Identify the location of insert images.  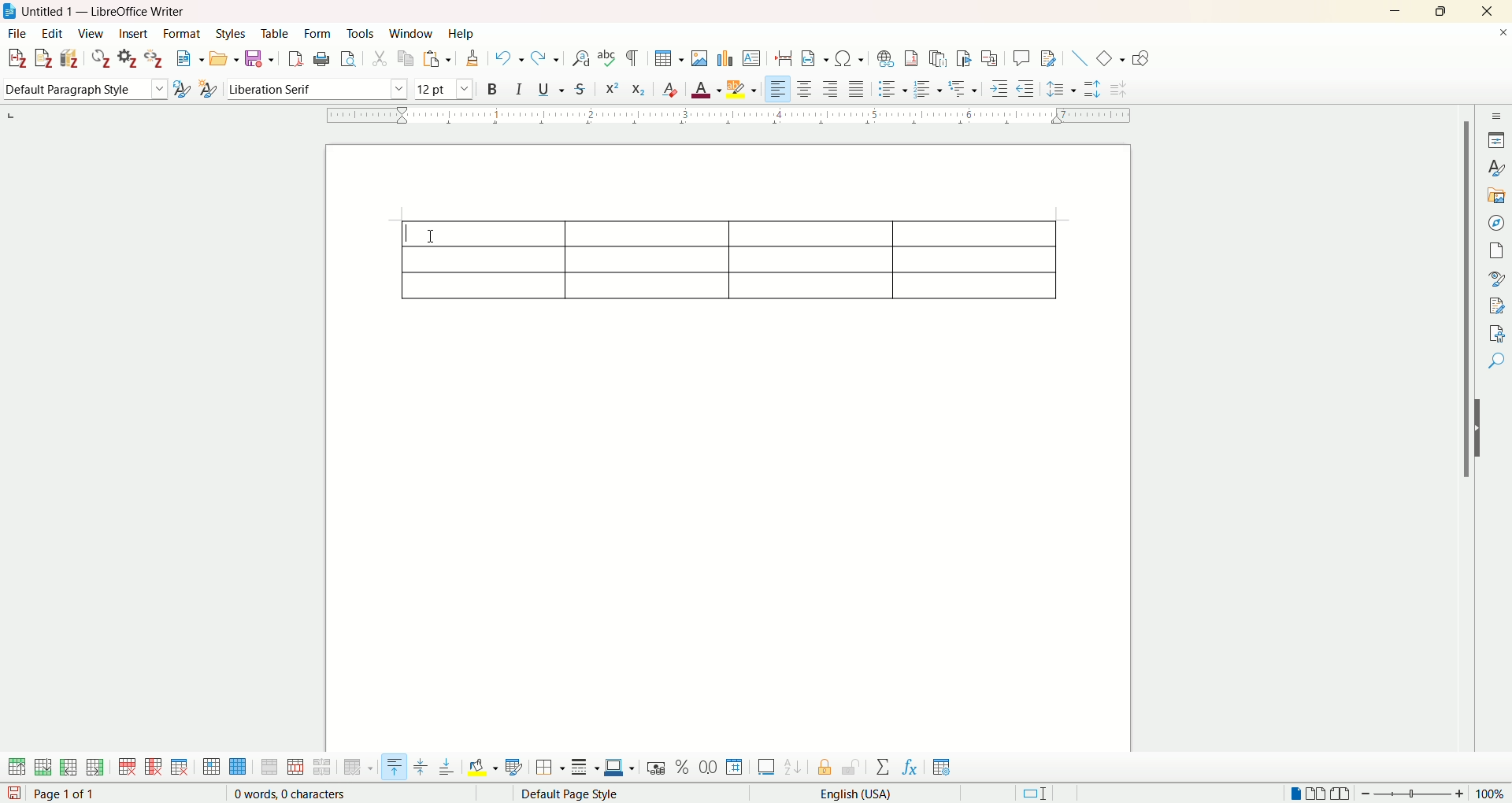
(699, 57).